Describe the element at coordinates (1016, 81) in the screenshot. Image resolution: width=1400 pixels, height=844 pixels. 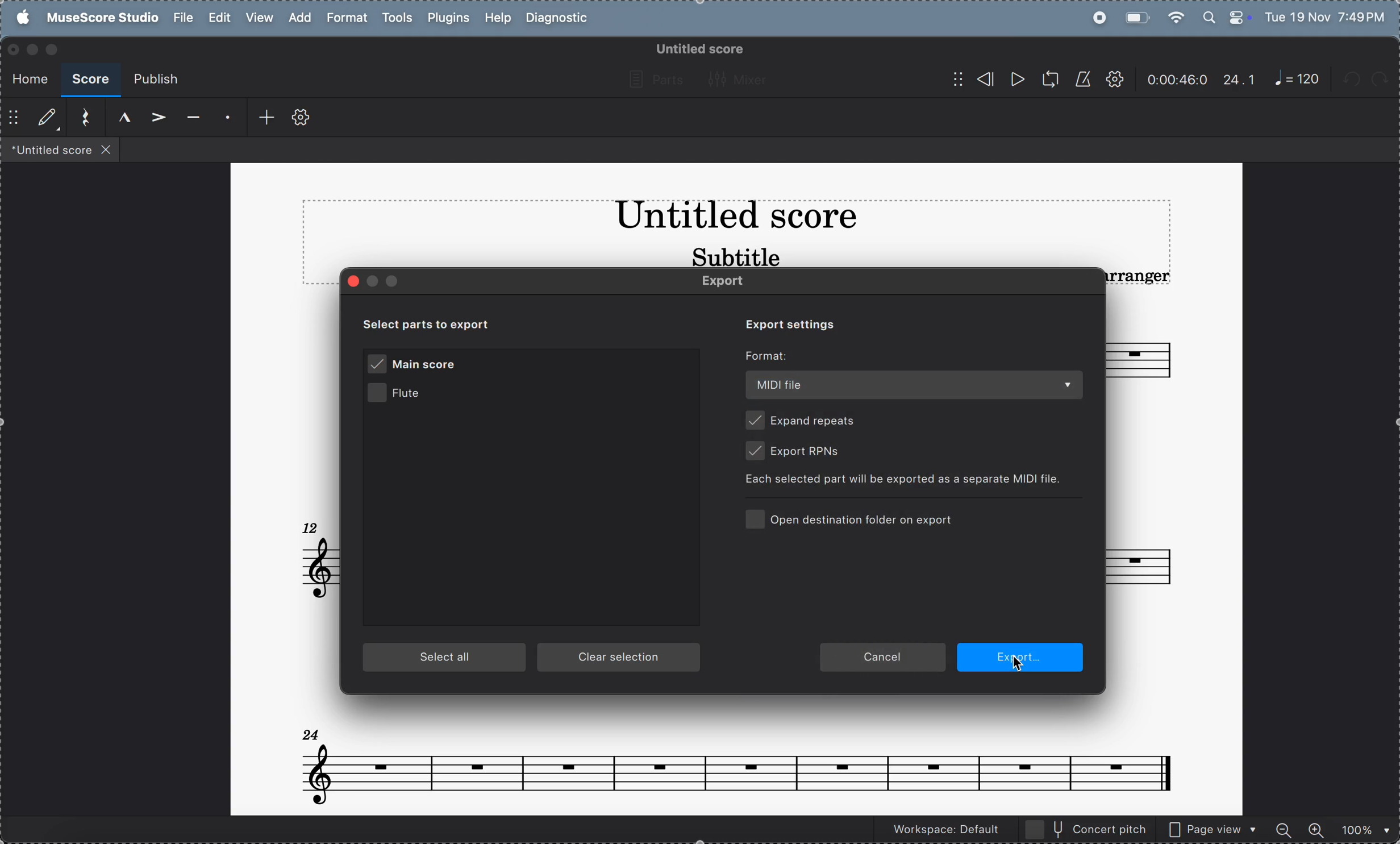
I see `play` at that location.